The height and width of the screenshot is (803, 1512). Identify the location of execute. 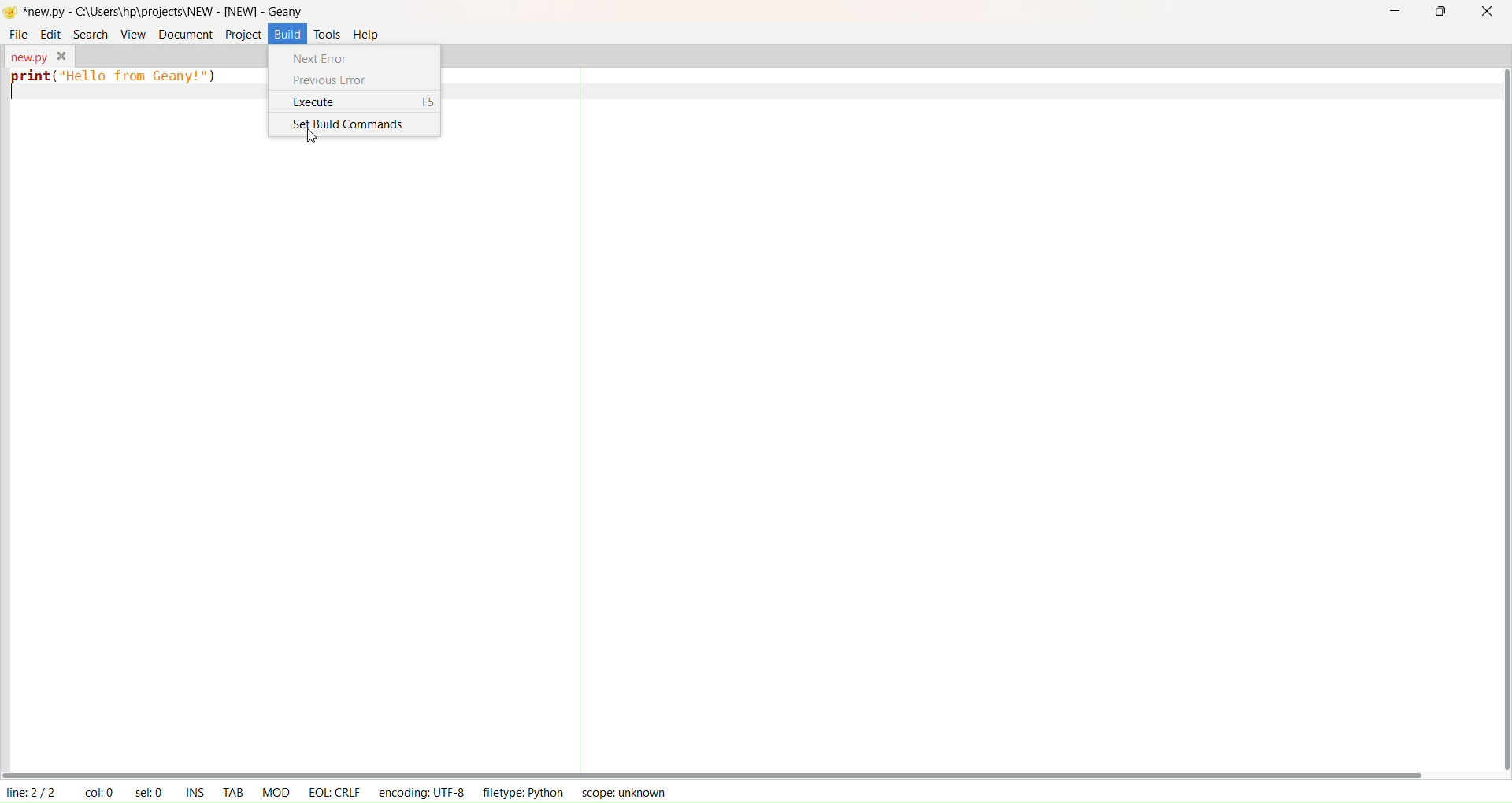
(364, 103).